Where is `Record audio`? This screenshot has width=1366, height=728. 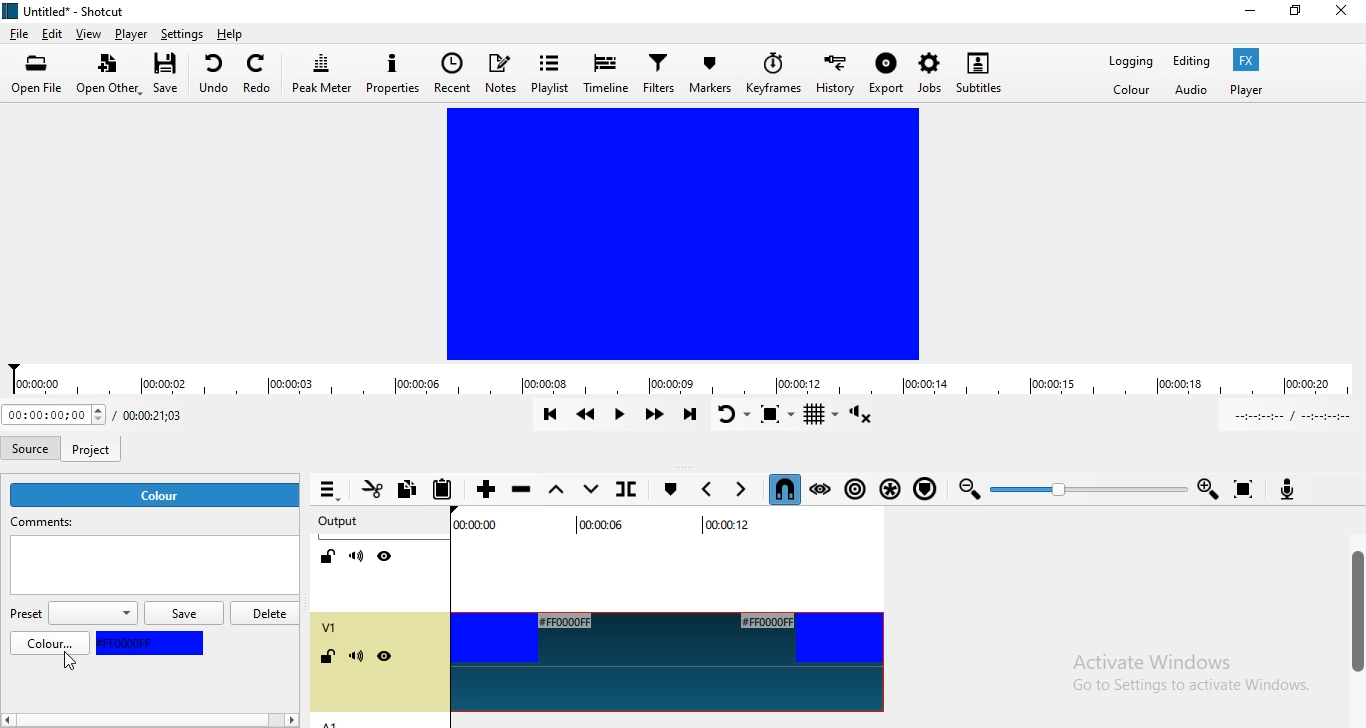 Record audio is located at coordinates (1297, 491).